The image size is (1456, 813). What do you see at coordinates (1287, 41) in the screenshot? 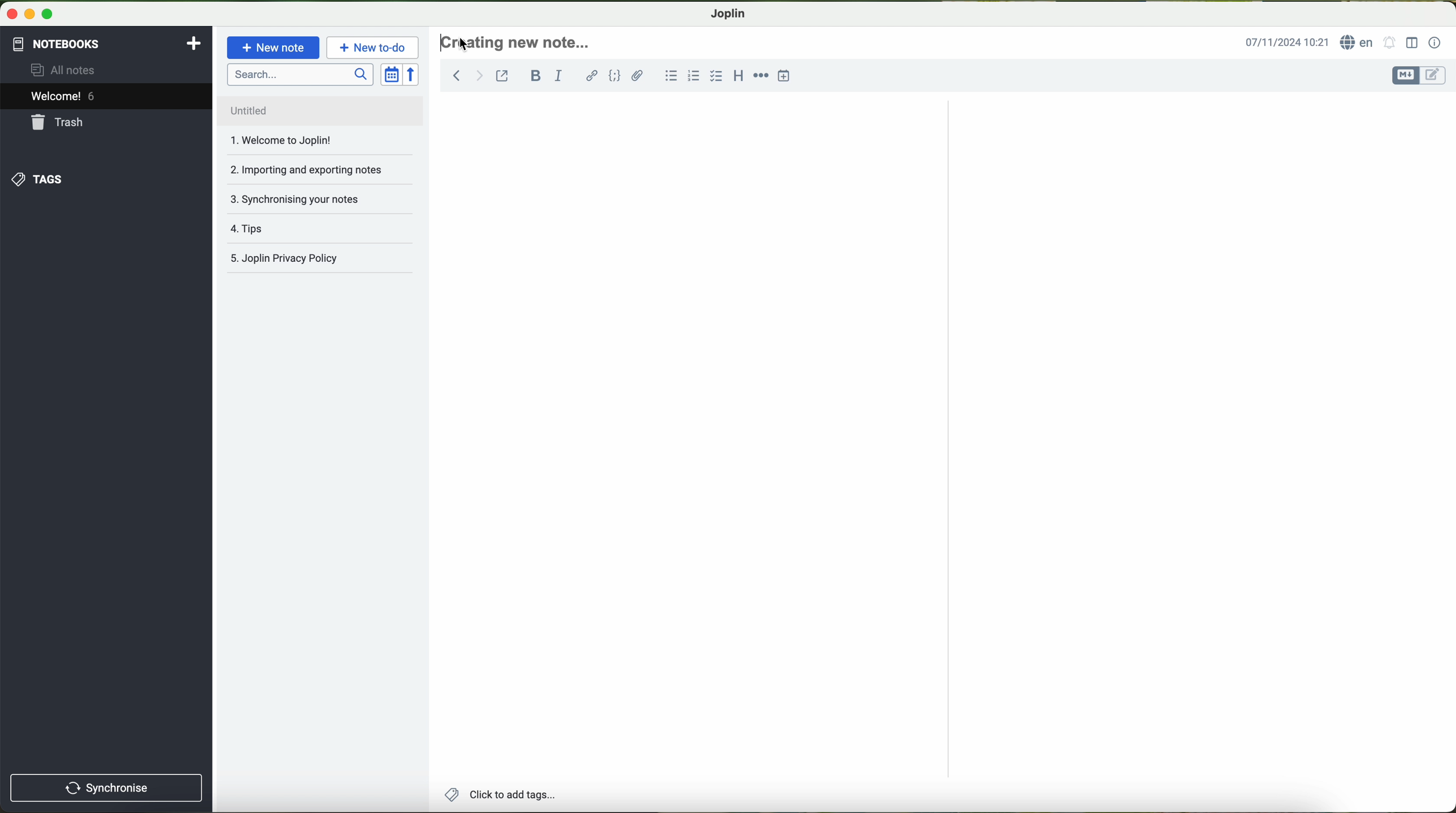
I see `date and hour` at bounding box center [1287, 41].